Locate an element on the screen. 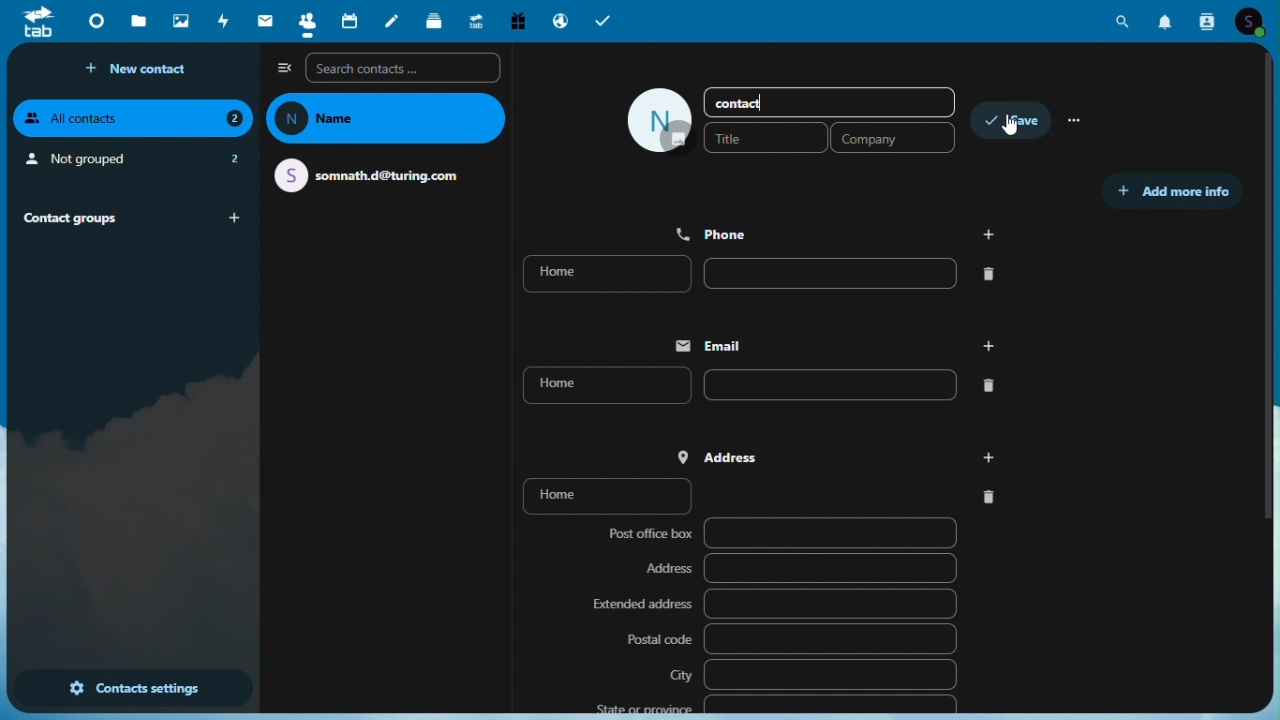 The height and width of the screenshot is (720, 1280). New contact is located at coordinates (142, 69).